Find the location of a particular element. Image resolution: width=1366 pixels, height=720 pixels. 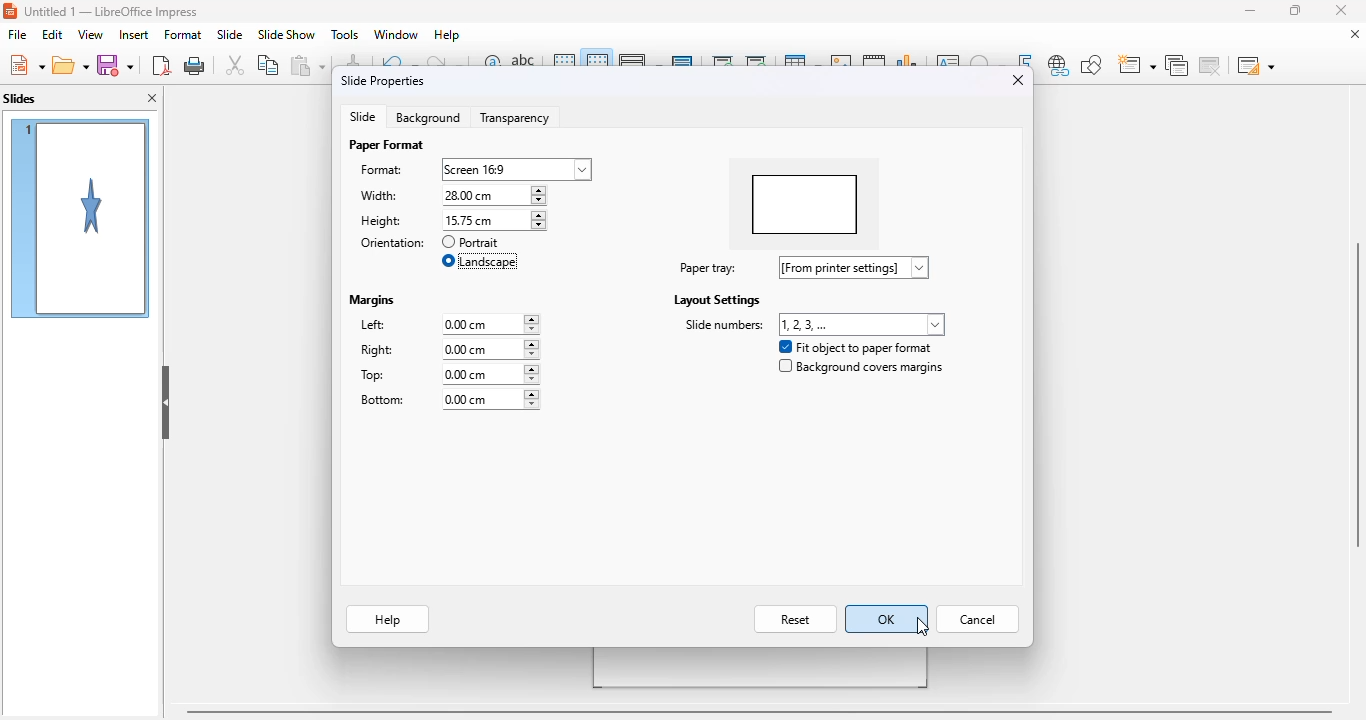

cursor is located at coordinates (922, 627).